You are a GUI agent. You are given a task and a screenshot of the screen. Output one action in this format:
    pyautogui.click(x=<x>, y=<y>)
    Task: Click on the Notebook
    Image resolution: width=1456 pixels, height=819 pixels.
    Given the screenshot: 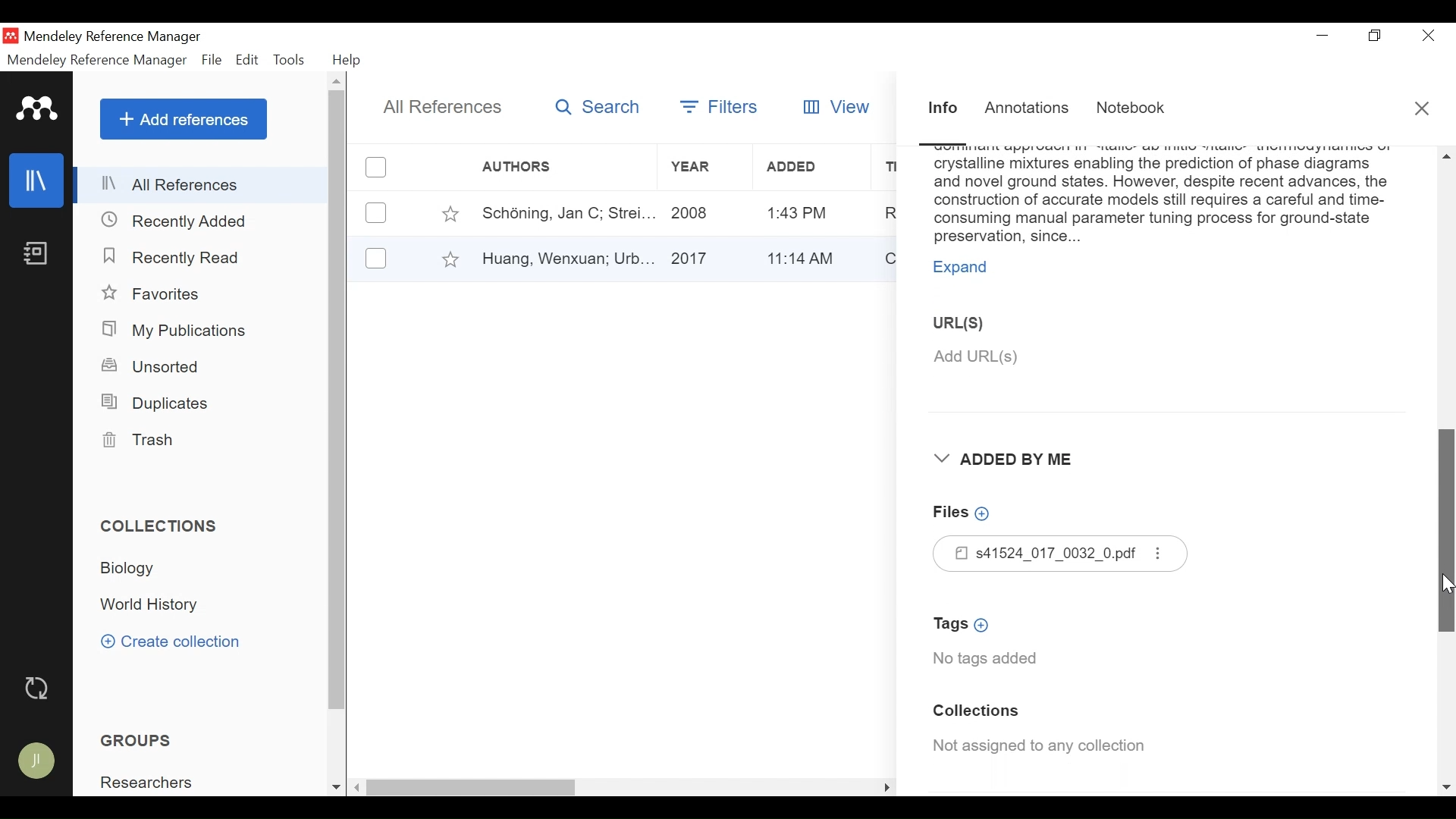 What is the action you would take?
    pyautogui.click(x=1134, y=108)
    